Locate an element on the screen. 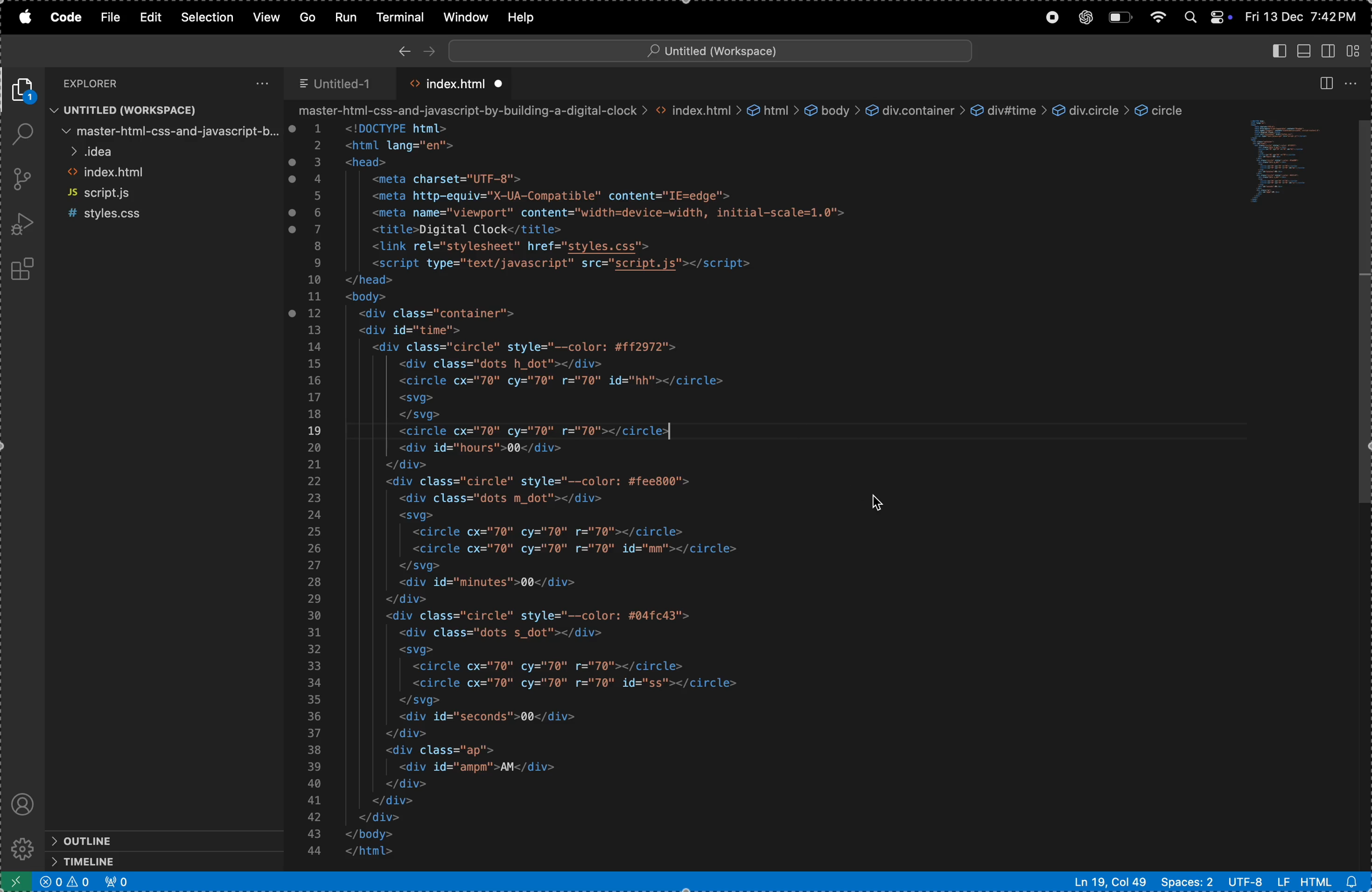 The image size is (1372, 892). window is located at coordinates (465, 16).